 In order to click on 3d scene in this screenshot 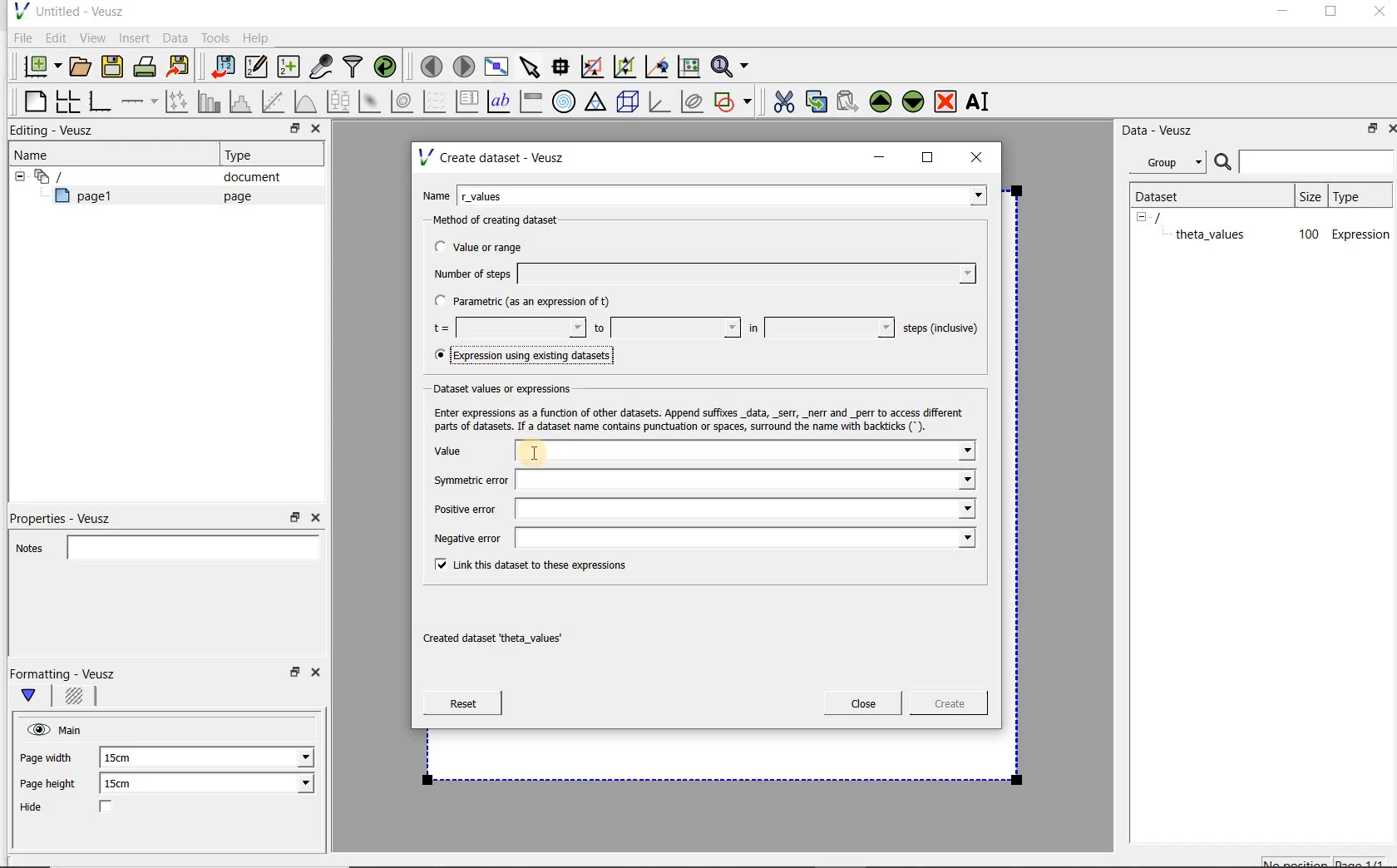, I will do `click(629, 103)`.